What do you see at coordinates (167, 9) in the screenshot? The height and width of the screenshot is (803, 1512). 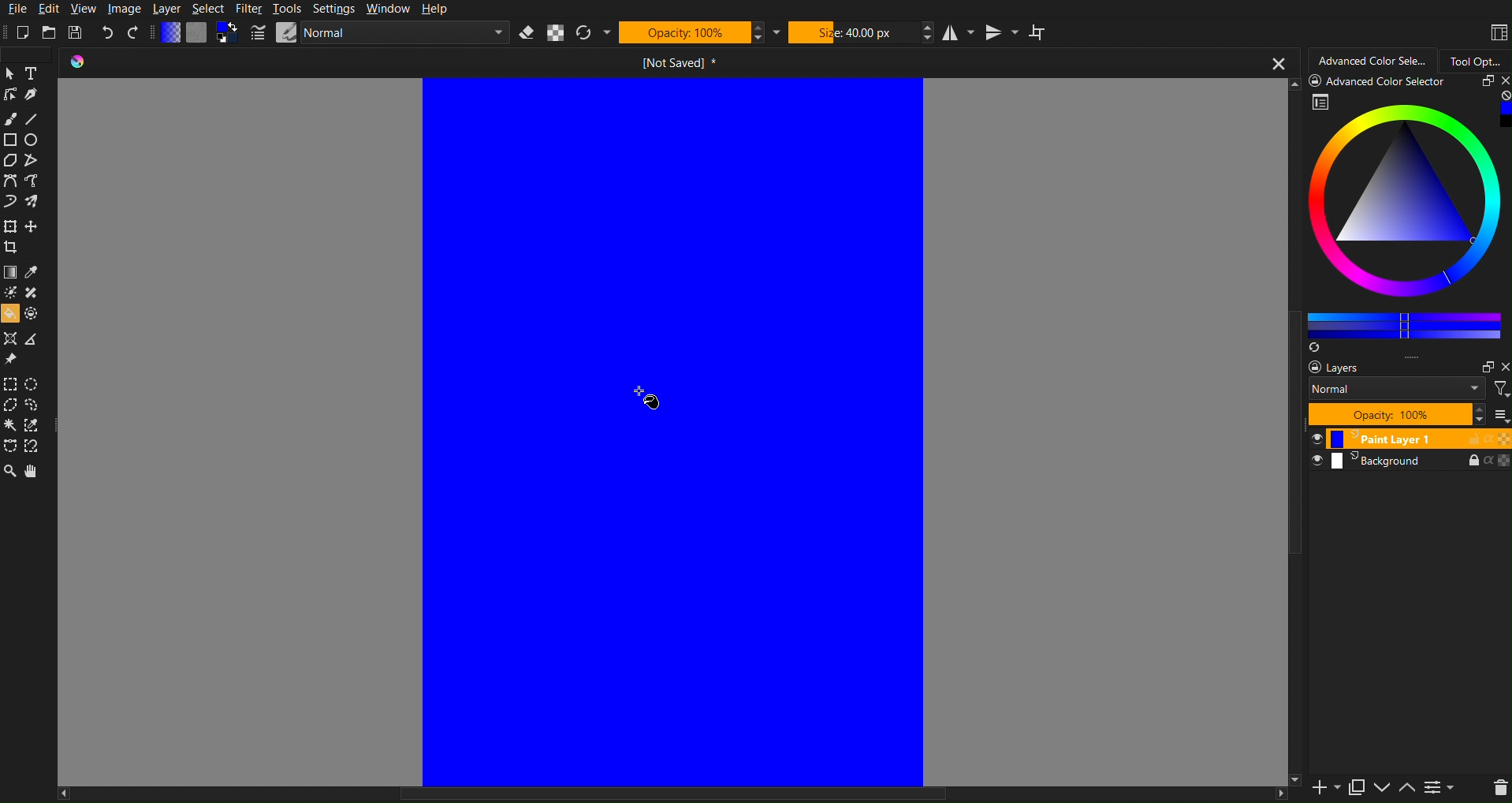 I see `Layer` at bounding box center [167, 9].